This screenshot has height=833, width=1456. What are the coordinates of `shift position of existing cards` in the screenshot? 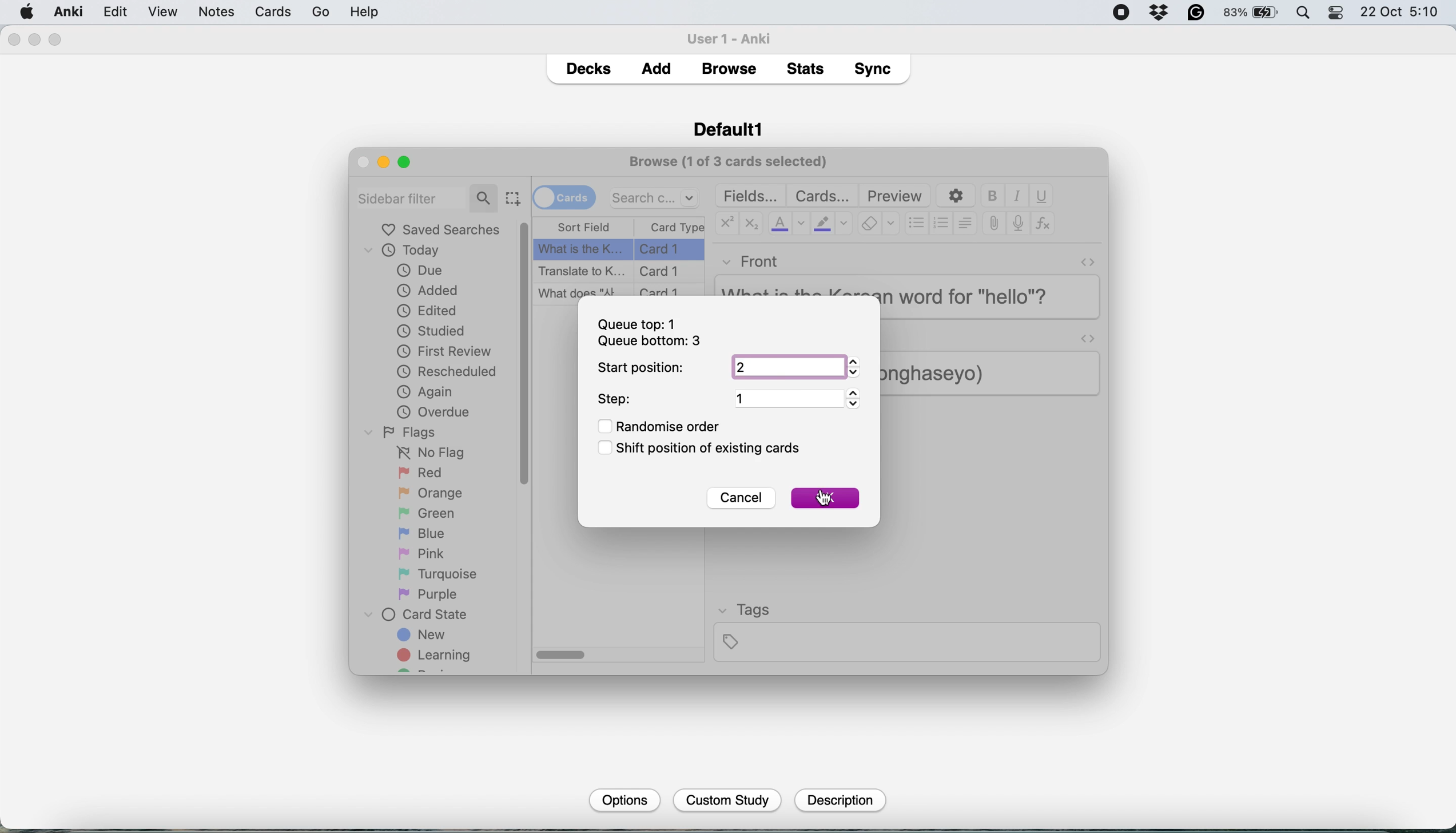 It's located at (707, 450).